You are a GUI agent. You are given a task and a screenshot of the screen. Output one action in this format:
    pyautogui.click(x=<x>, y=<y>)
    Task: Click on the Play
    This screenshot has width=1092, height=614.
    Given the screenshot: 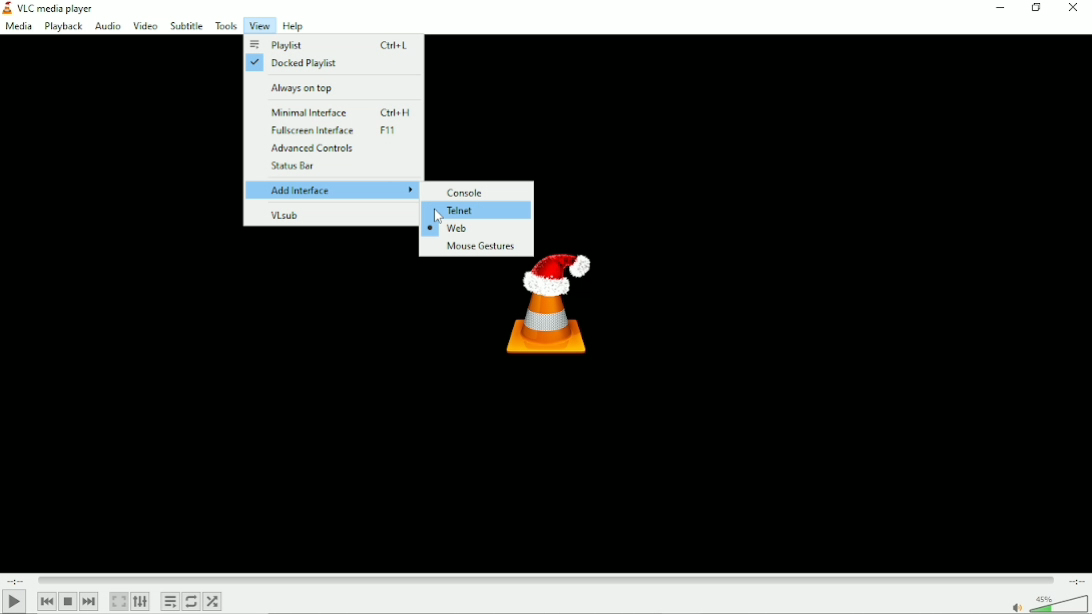 What is the action you would take?
    pyautogui.click(x=14, y=602)
    